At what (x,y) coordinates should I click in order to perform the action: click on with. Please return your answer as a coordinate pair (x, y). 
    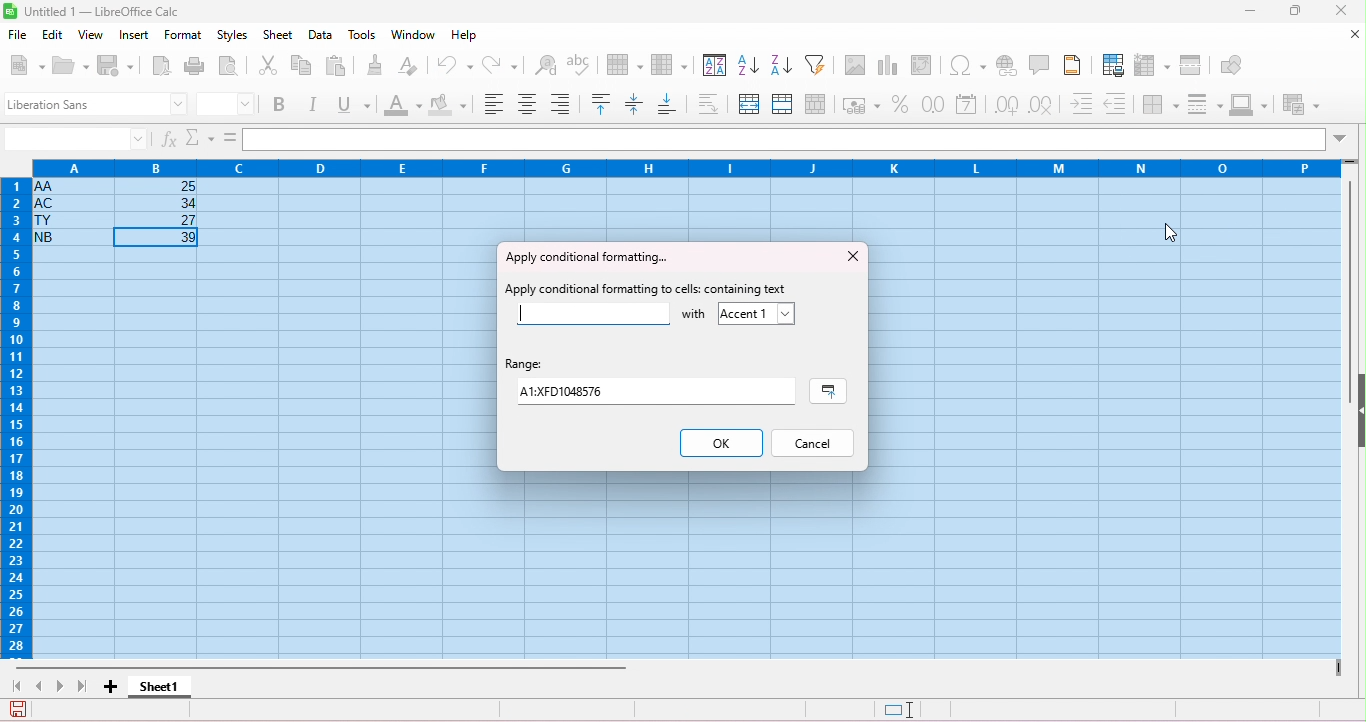
    Looking at the image, I should click on (694, 313).